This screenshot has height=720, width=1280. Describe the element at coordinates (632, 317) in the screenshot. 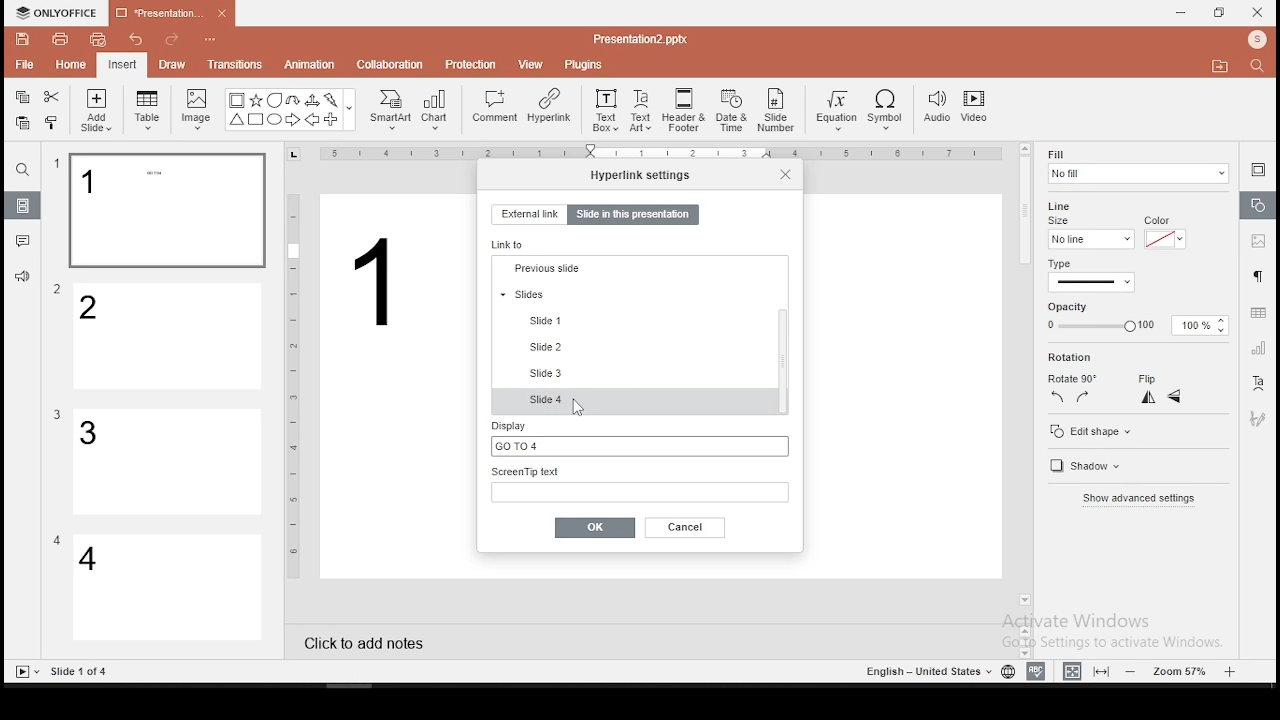

I see `next slide` at that location.